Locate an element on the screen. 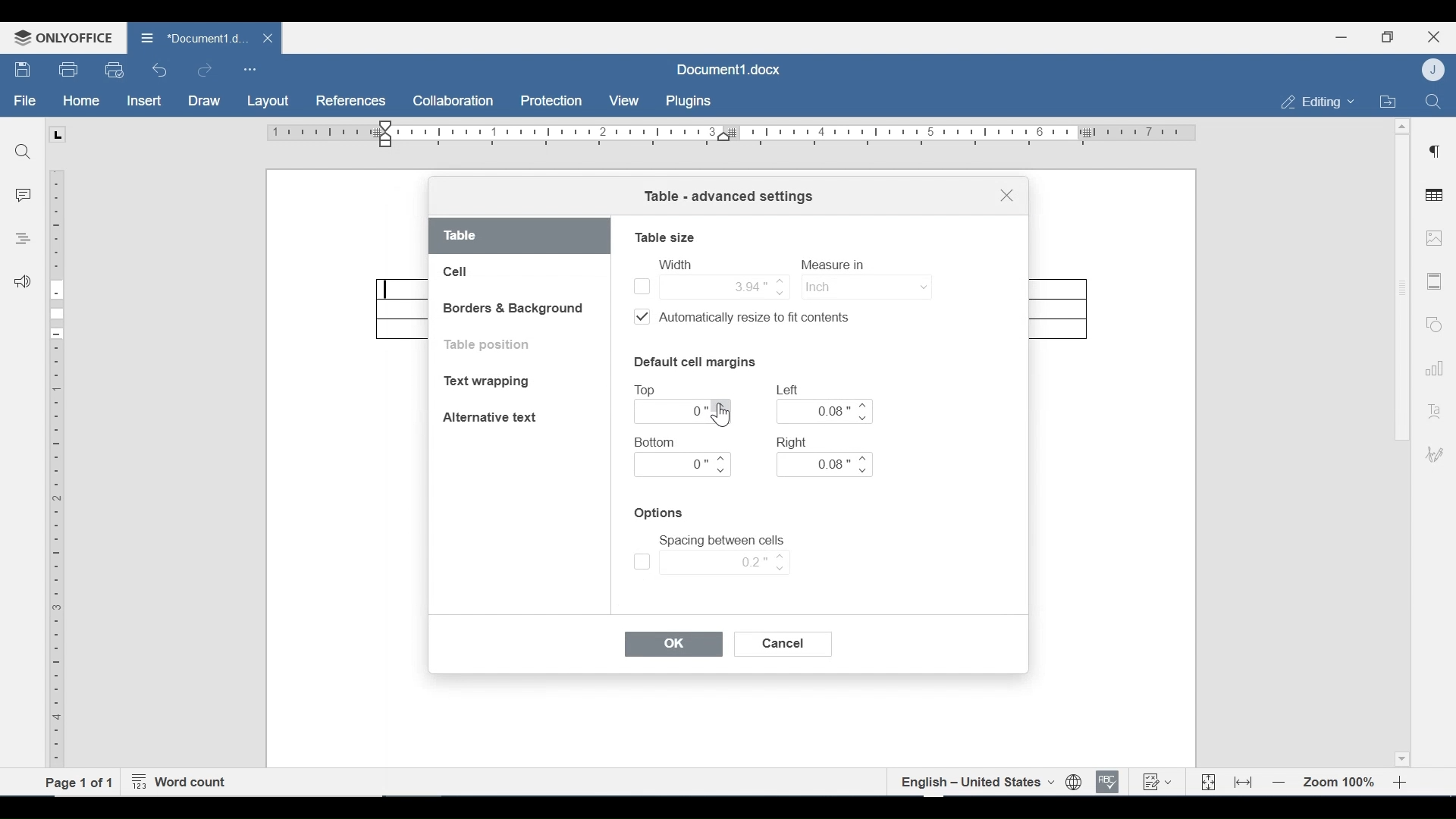 This screenshot has width=1456, height=819. 0.08 is located at coordinates (824, 465).